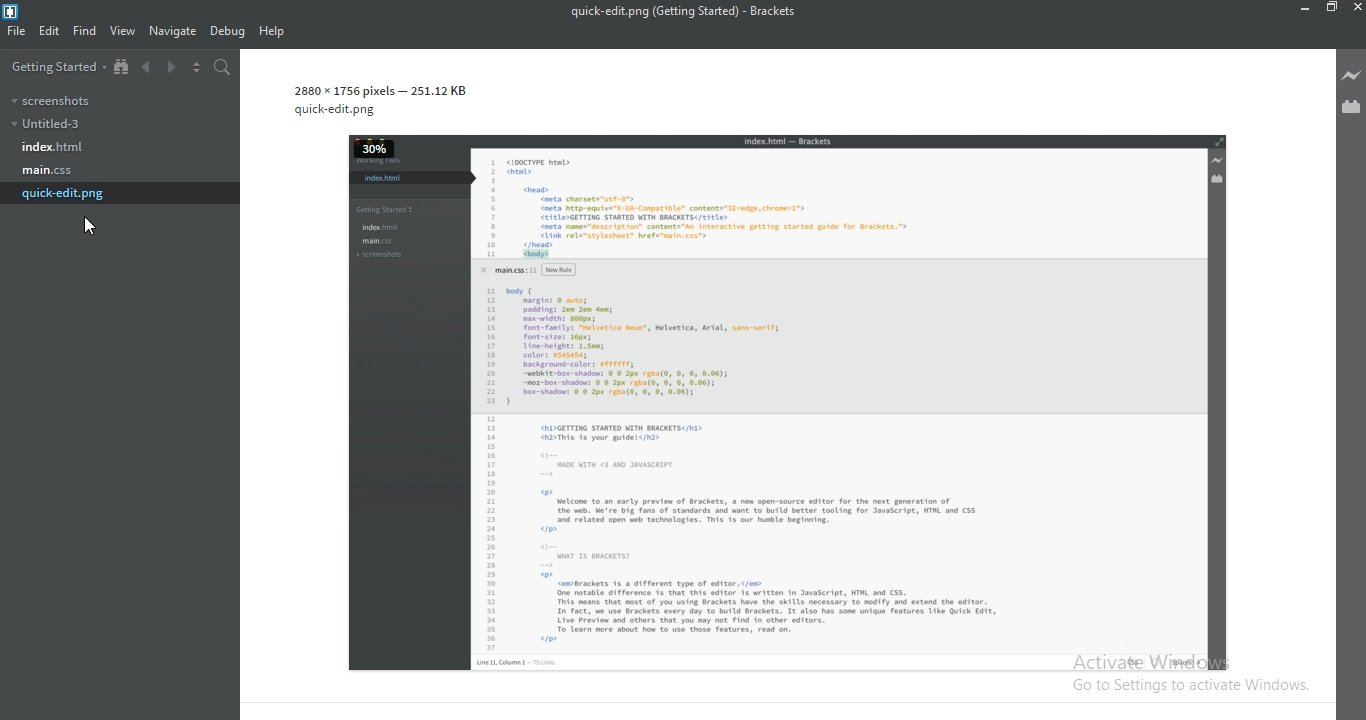  Describe the element at coordinates (1351, 74) in the screenshot. I see `livepreview` at that location.